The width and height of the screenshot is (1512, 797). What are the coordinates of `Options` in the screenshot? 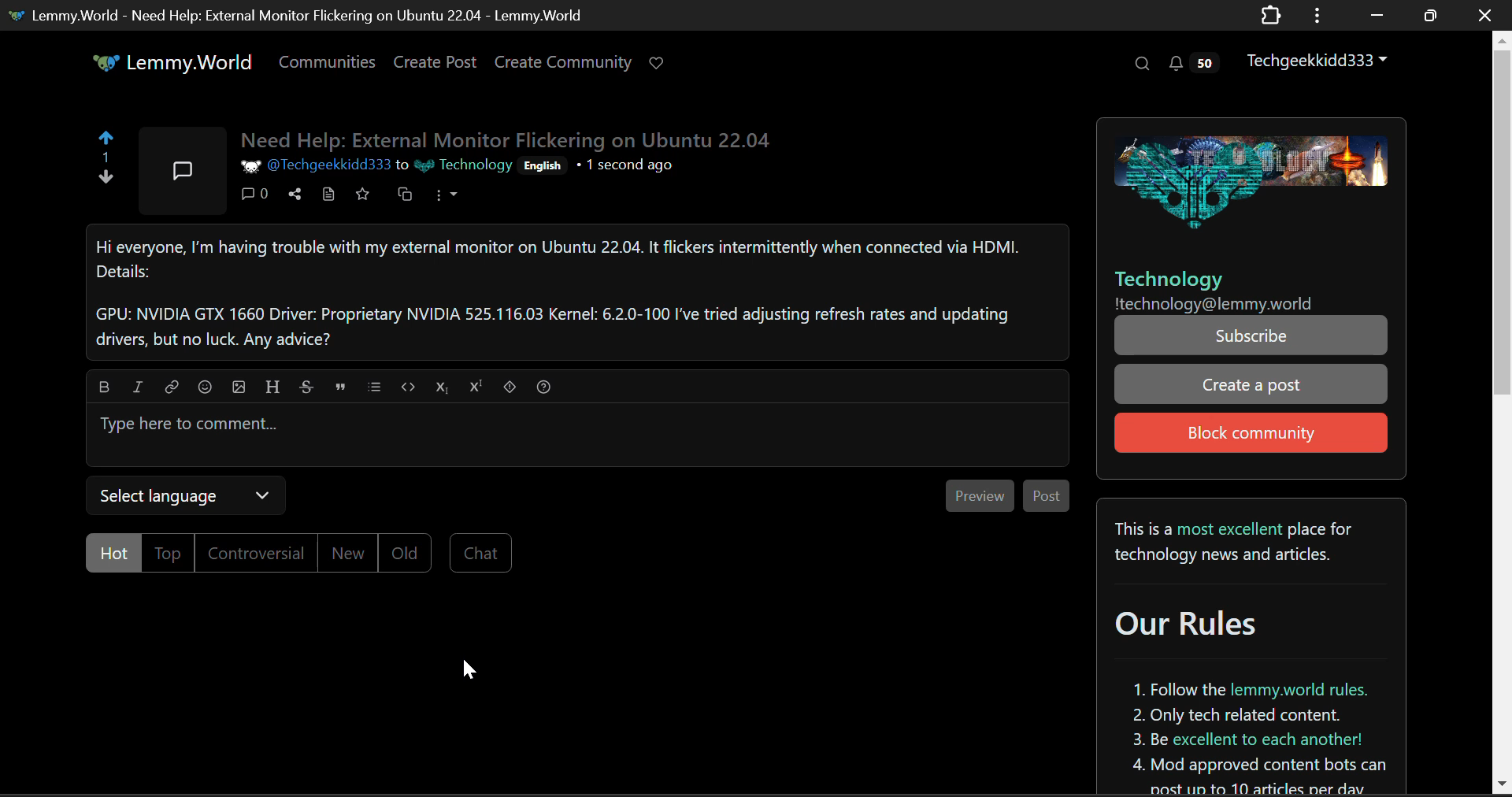 It's located at (445, 198).